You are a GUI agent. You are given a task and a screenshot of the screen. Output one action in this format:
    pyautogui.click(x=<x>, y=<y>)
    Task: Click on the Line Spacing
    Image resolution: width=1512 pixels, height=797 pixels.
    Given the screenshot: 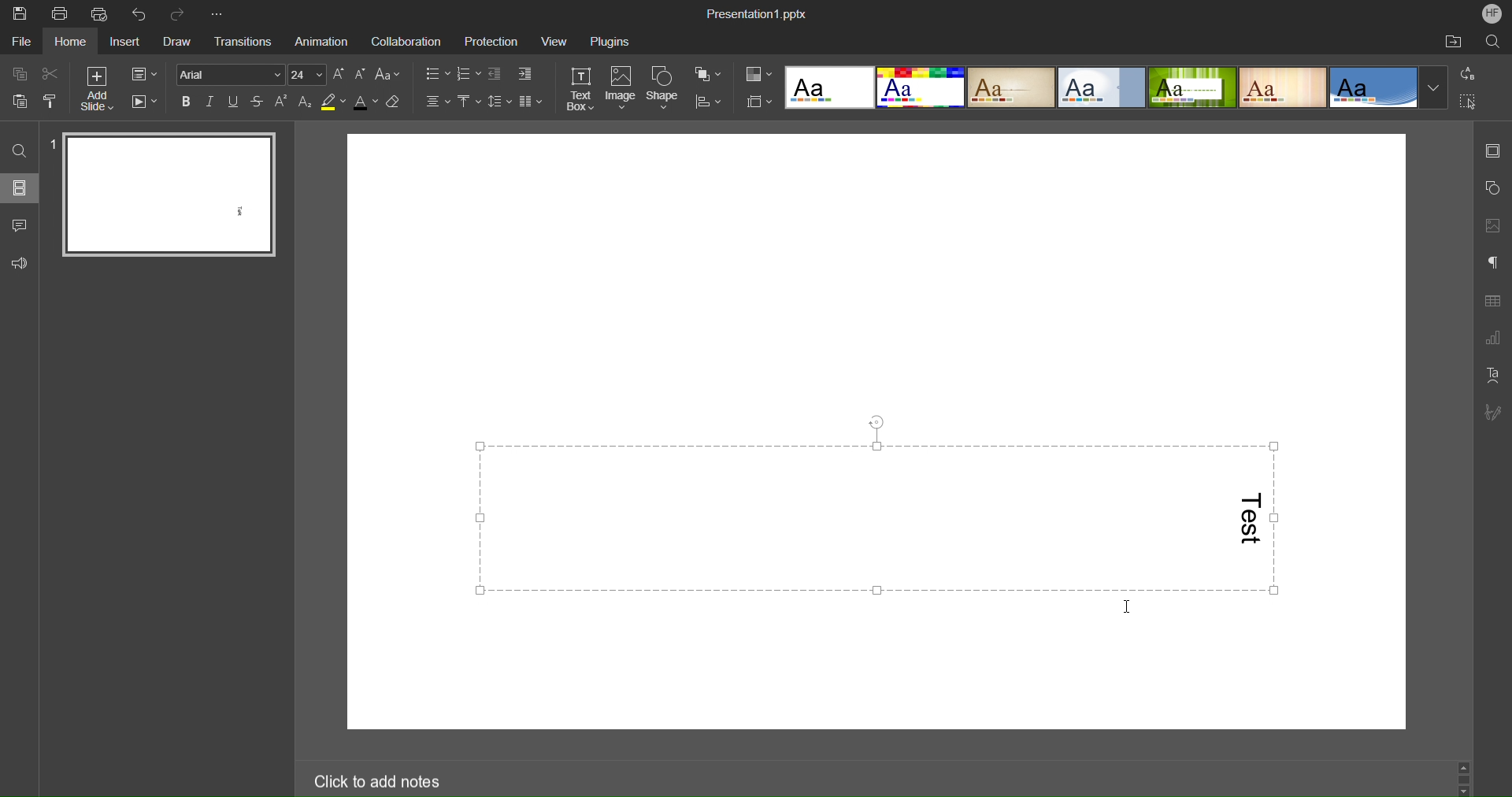 What is the action you would take?
    pyautogui.click(x=500, y=103)
    